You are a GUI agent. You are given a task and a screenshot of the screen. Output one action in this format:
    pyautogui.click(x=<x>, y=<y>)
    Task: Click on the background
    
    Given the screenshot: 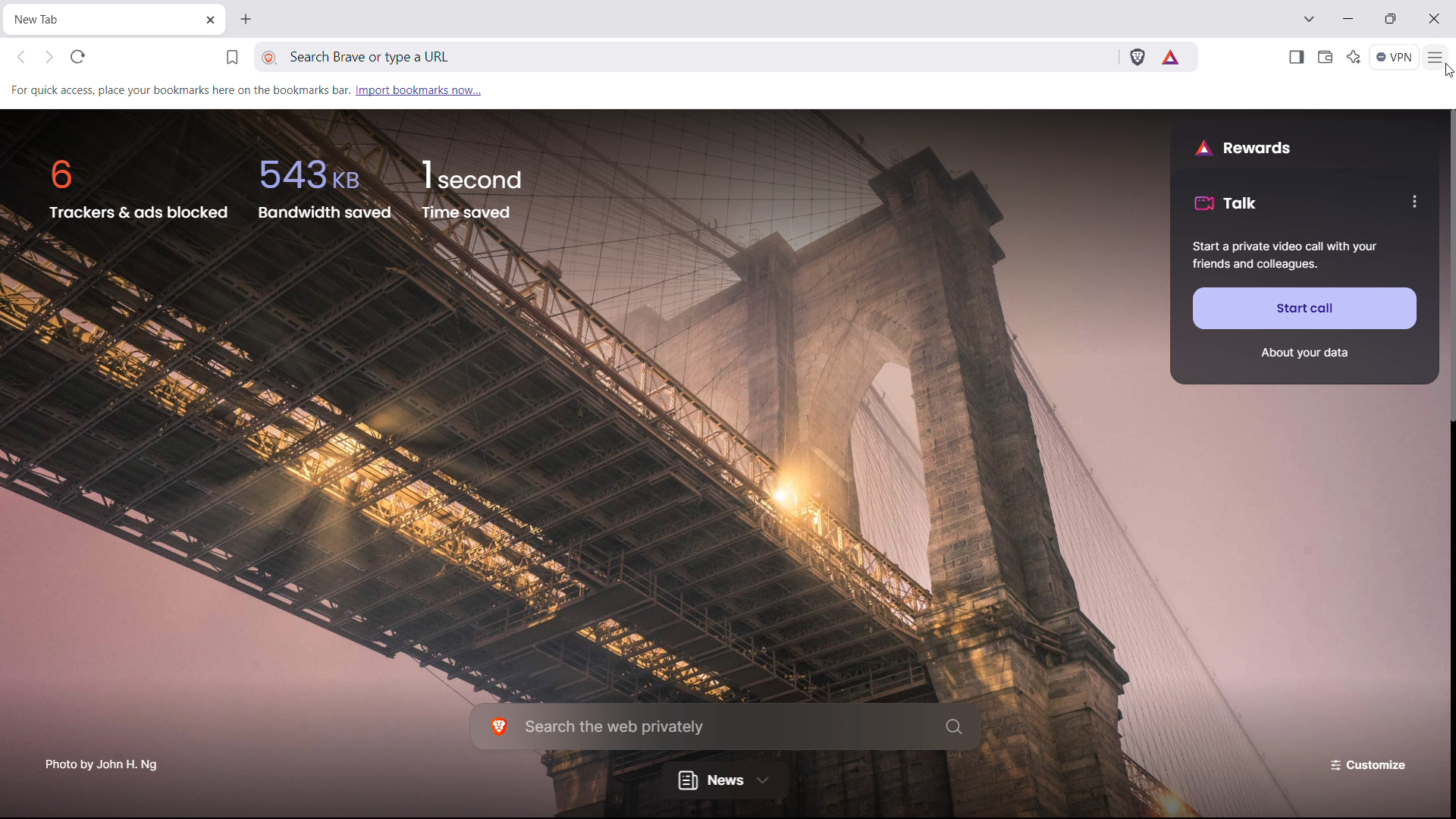 What is the action you would take?
    pyautogui.click(x=1314, y=566)
    